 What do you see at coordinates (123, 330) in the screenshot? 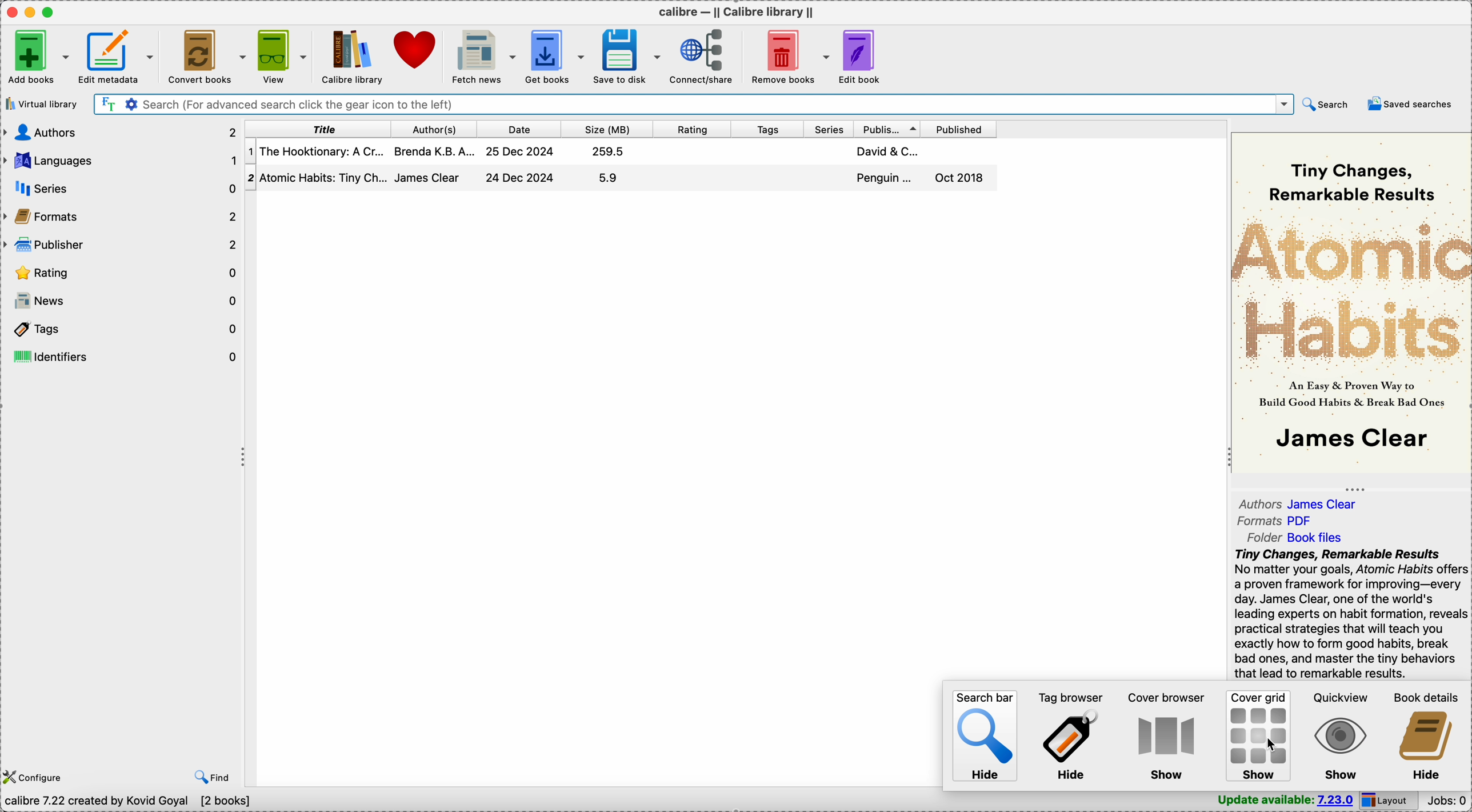
I see `tags` at bounding box center [123, 330].